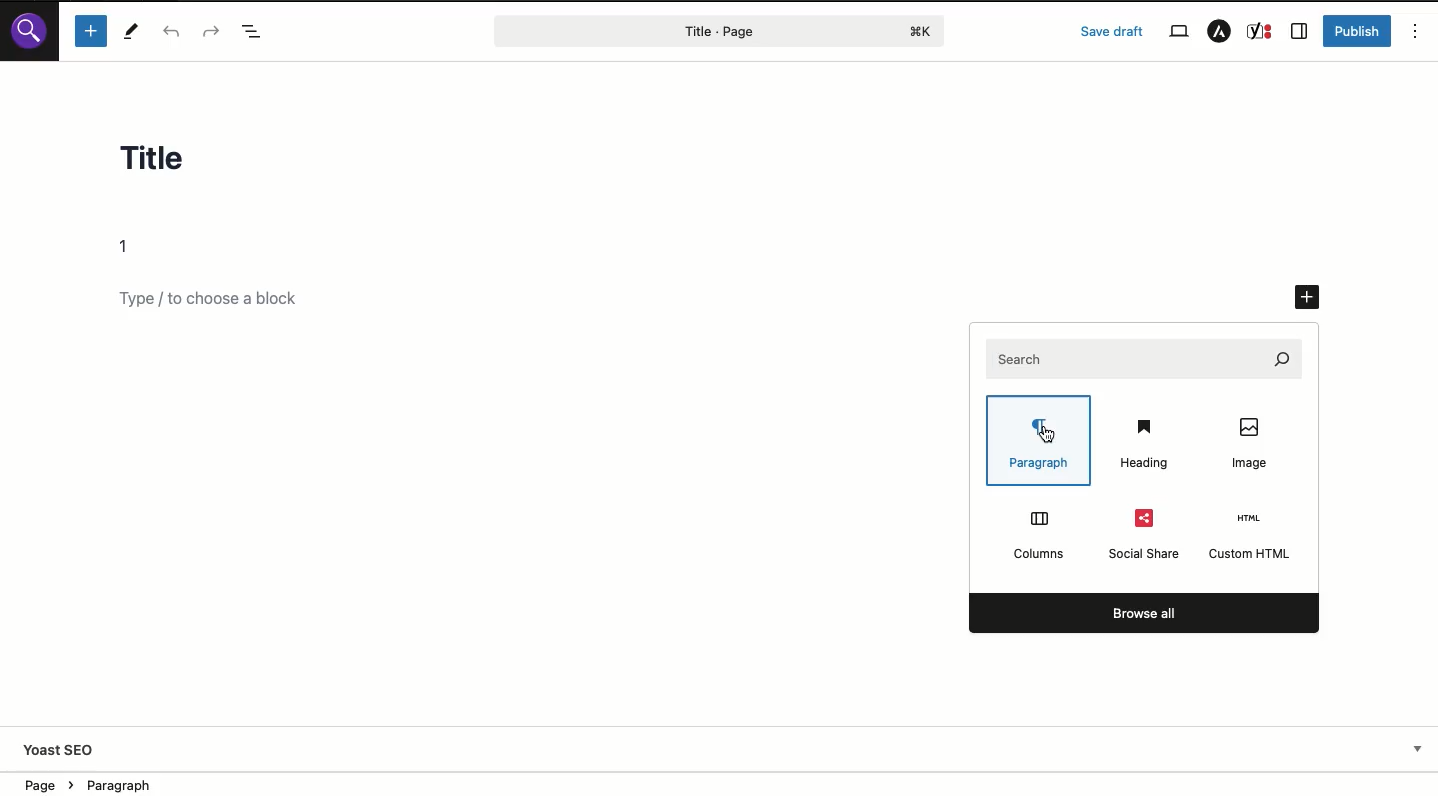  What do you see at coordinates (176, 32) in the screenshot?
I see `Undo` at bounding box center [176, 32].